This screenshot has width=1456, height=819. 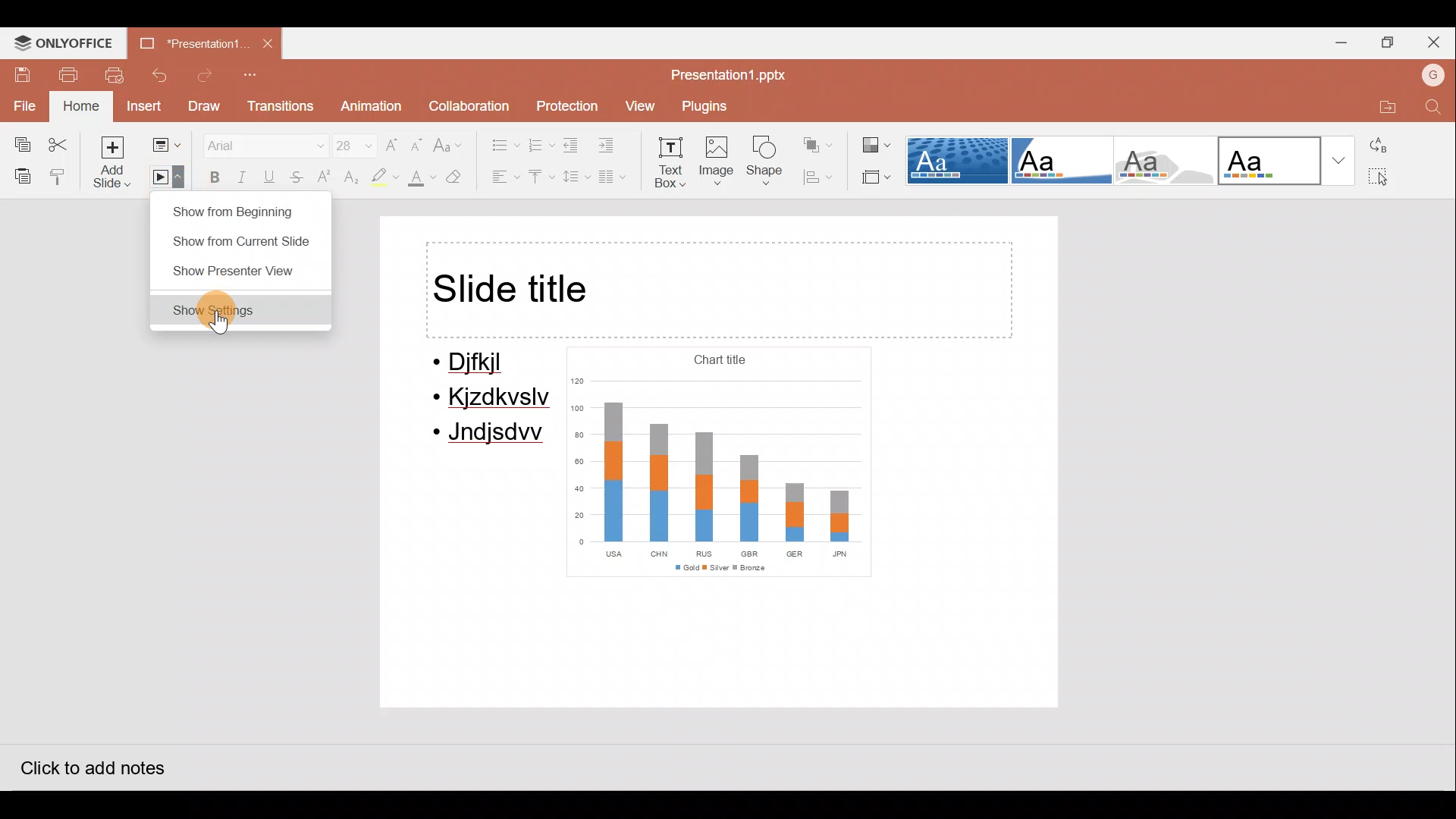 What do you see at coordinates (959, 162) in the screenshot?
I see `Dotted` at bounding box center [959, 162].